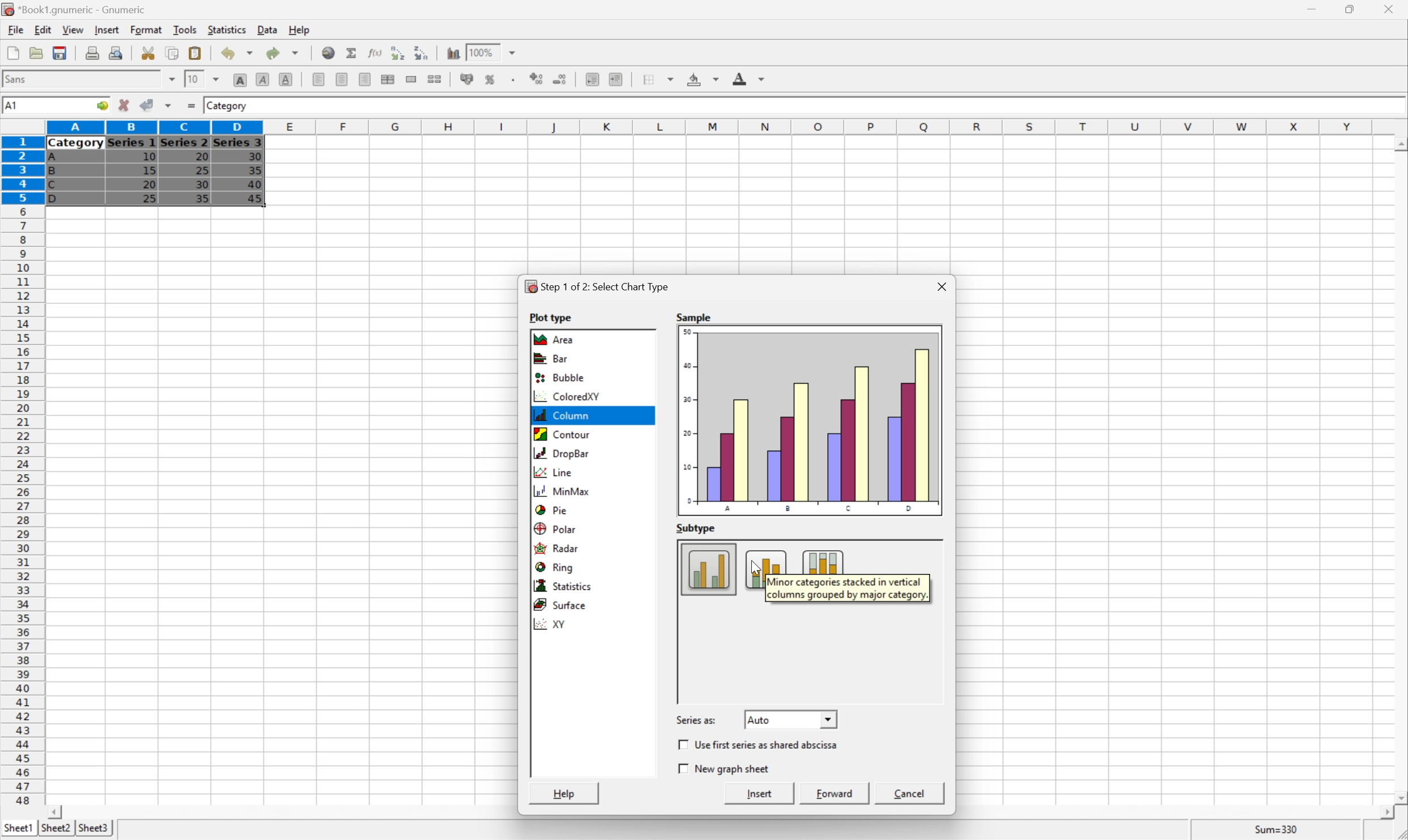 This screenshot has height=840, width=1408. What do you see at coordinates (762, 794) in the screenshot?
I see `Insert` at bounding box center [762, 794].